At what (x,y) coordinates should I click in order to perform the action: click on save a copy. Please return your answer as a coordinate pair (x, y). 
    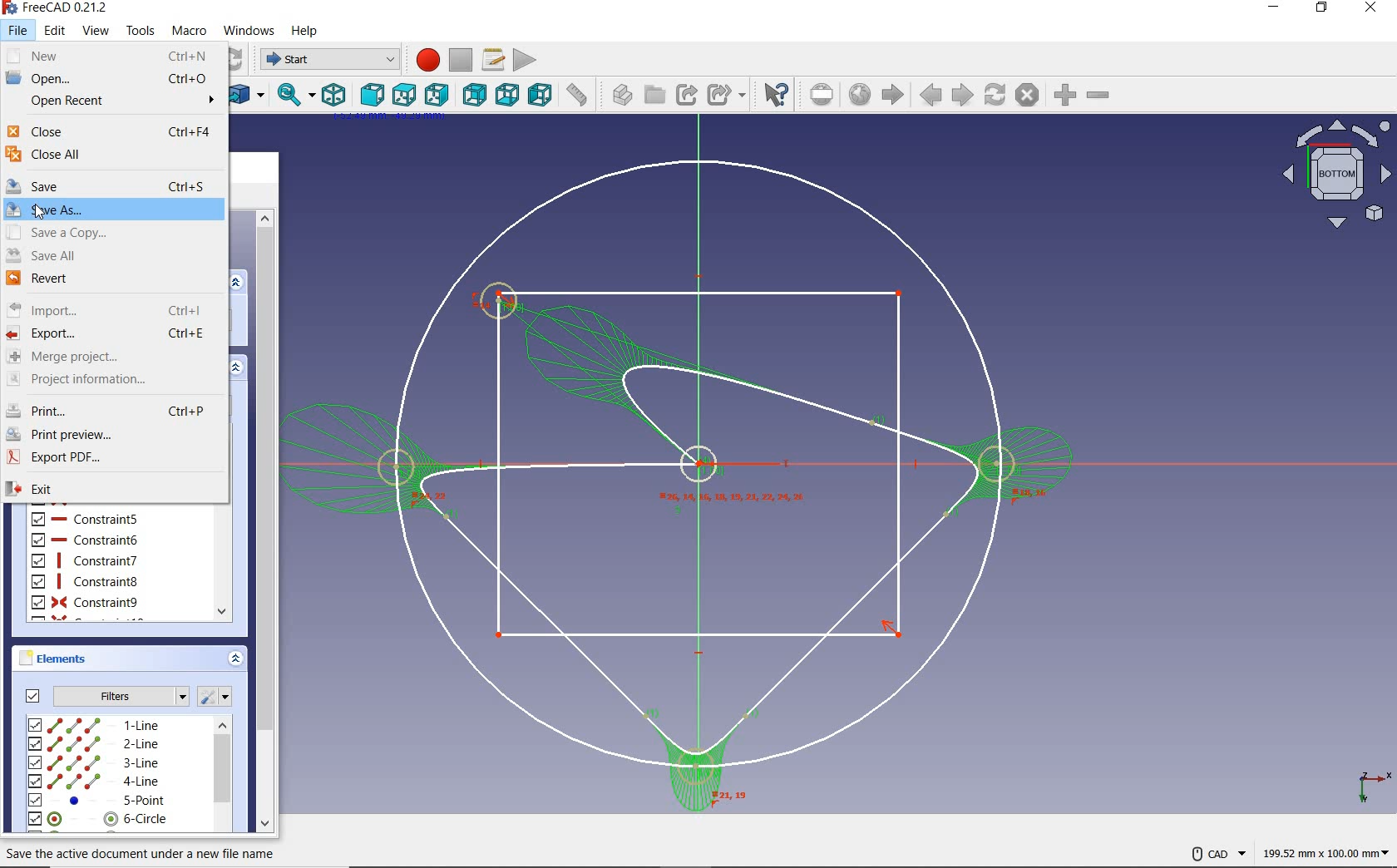
    Looking at the image, I should click on (113, 233).